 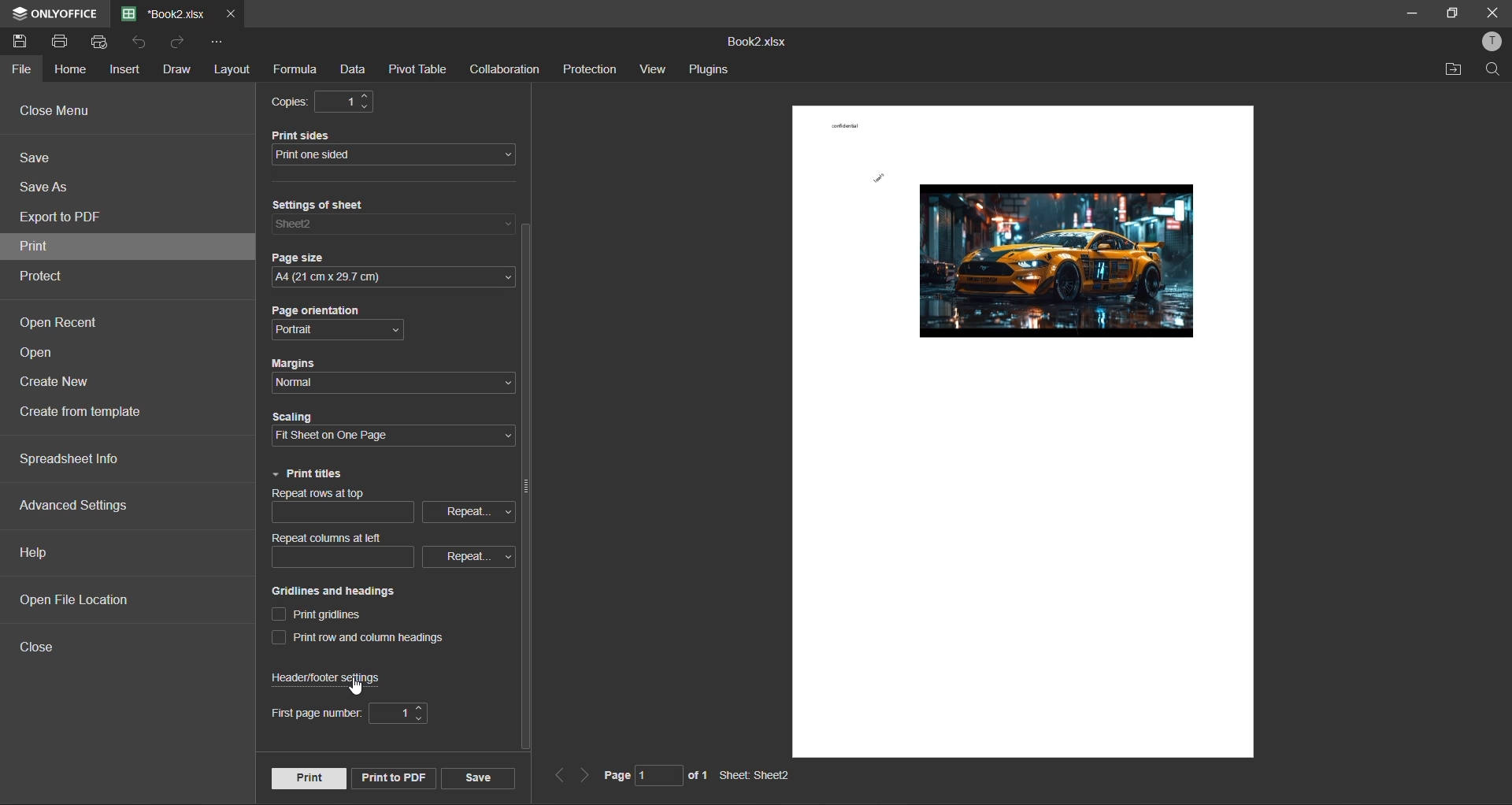 What do you see at coordinates (754, 42) in the screenshot?
I see `Book2.xlsx` at bounding box center [754, 42].